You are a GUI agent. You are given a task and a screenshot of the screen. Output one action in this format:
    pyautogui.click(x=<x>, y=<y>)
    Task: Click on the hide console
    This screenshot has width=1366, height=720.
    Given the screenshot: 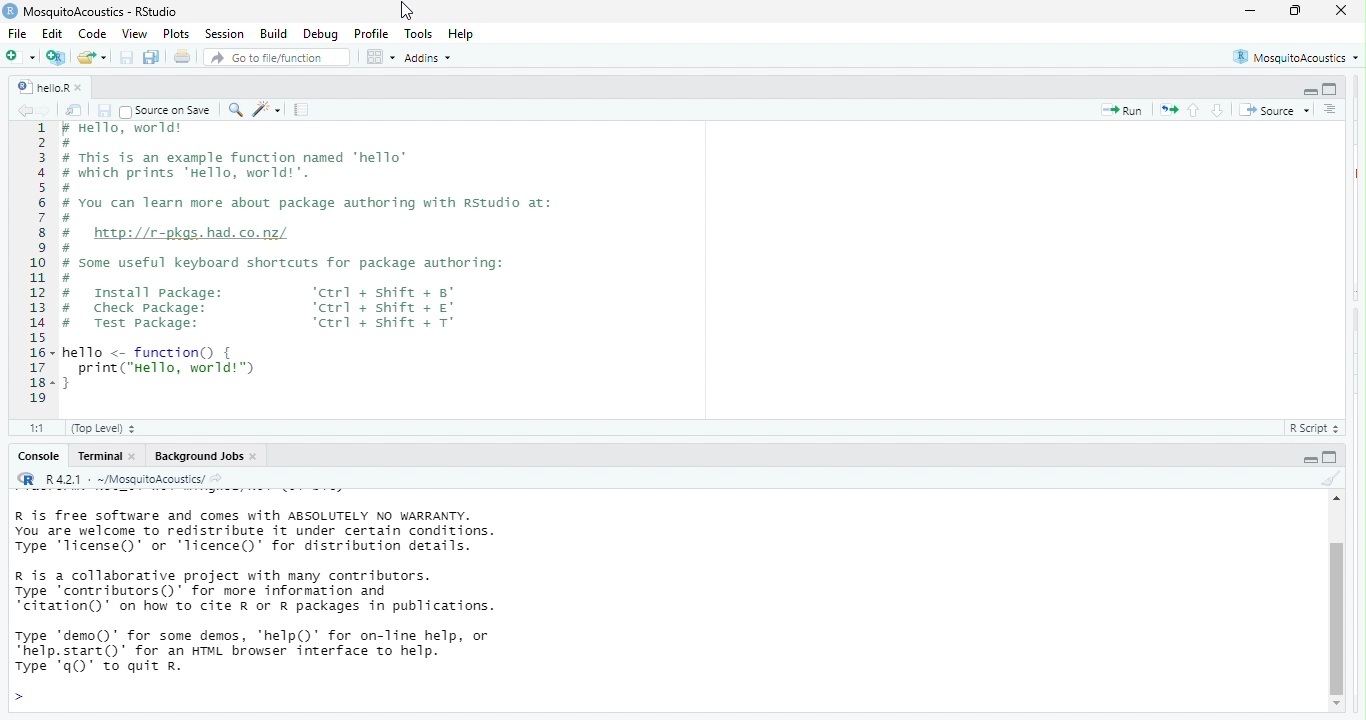 What is the action you would take?
    pyautogui.click(x=1332, y=459)
    